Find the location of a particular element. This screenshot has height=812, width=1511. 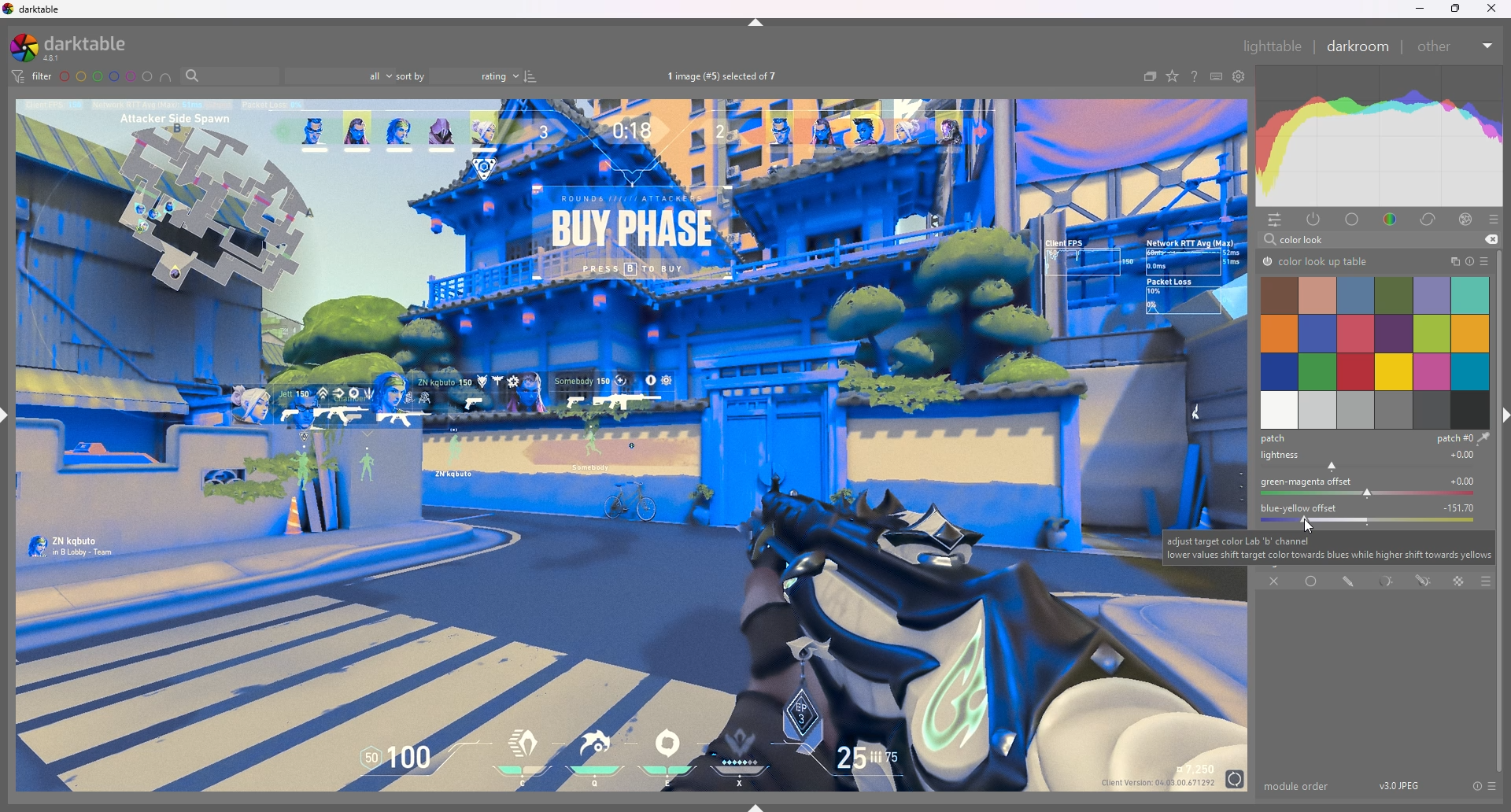

color look is located at coordinates (1306, 239).